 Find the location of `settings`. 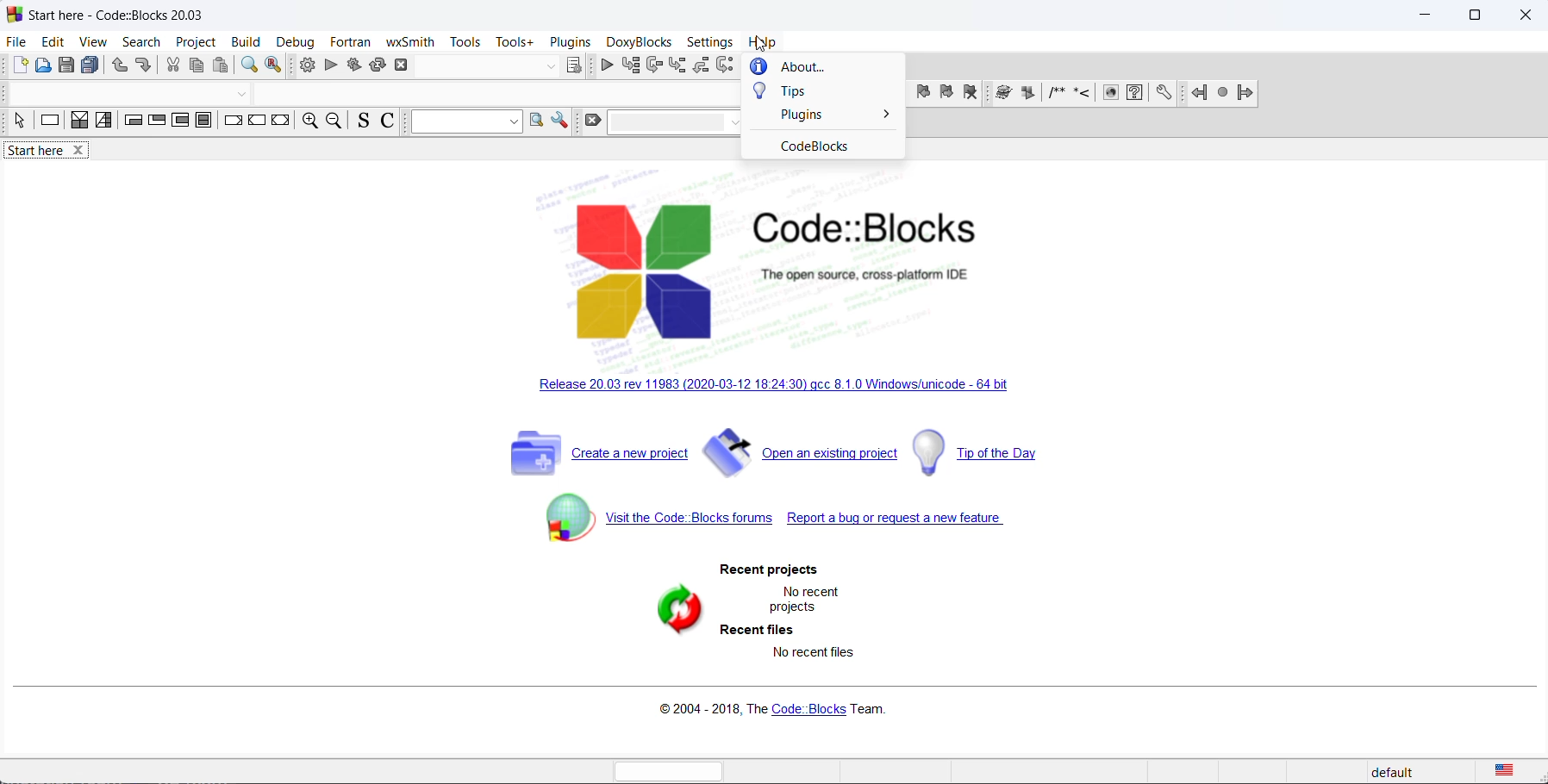

settings is located at coordinates (1135, 95).